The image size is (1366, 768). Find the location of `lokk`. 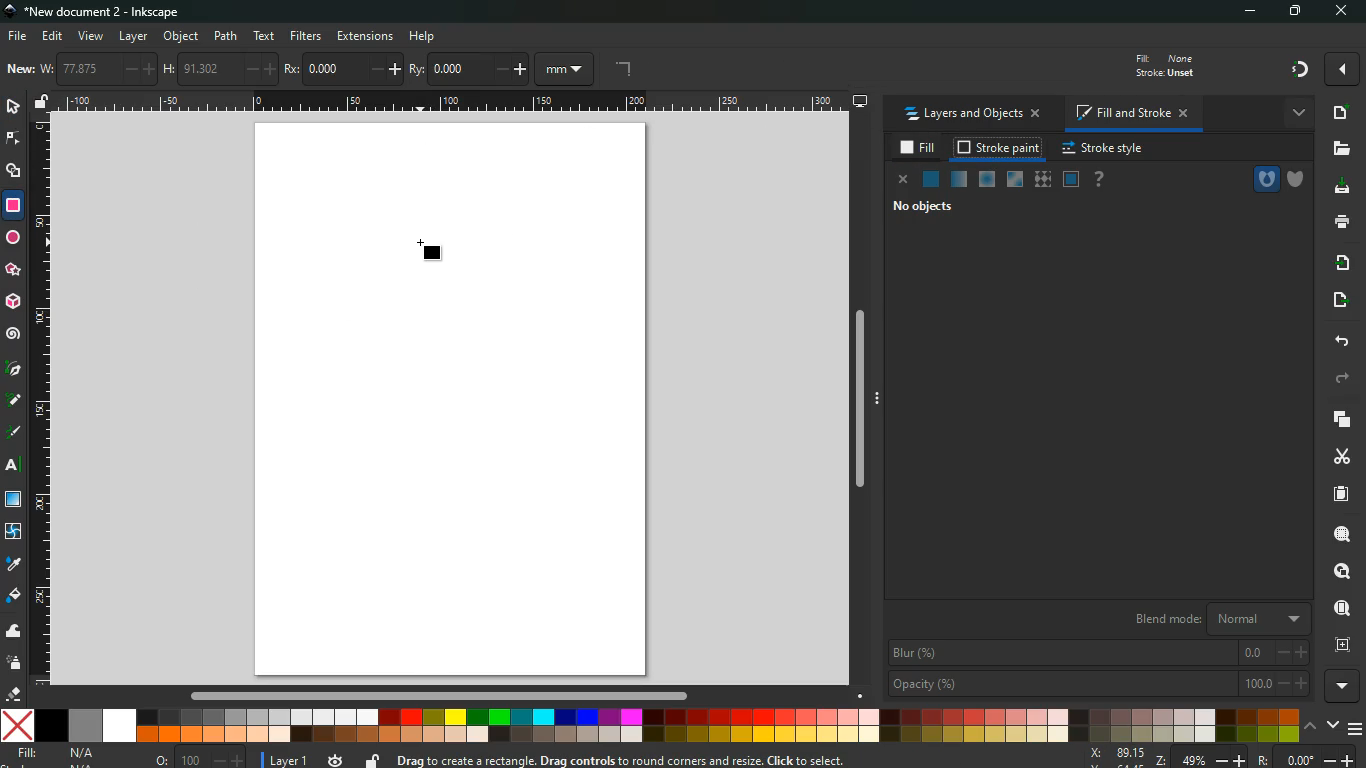

lokk is located at coordinates (1340, 569).